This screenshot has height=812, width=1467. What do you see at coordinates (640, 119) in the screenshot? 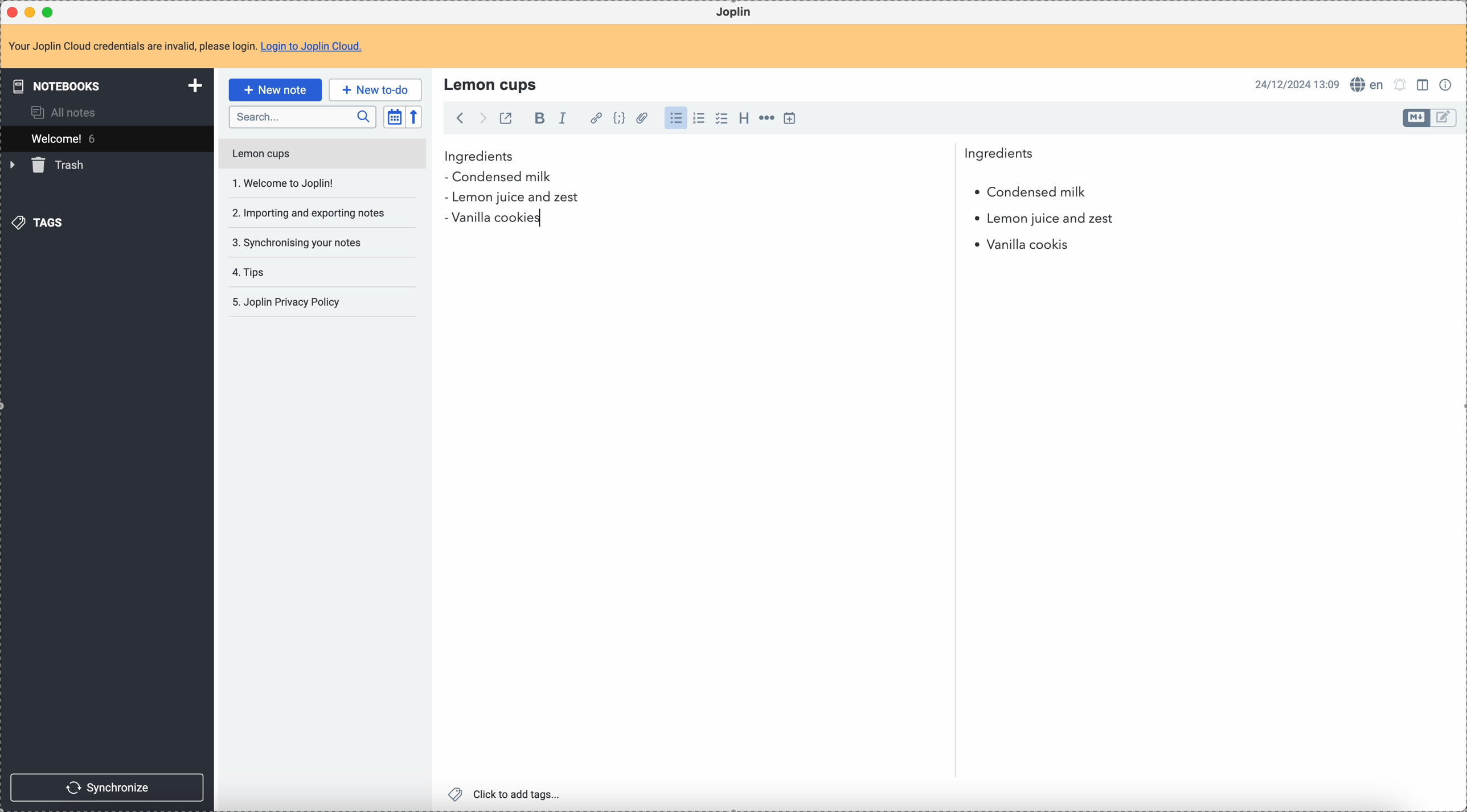
I see `attach file` at bounding box center [640, 119].